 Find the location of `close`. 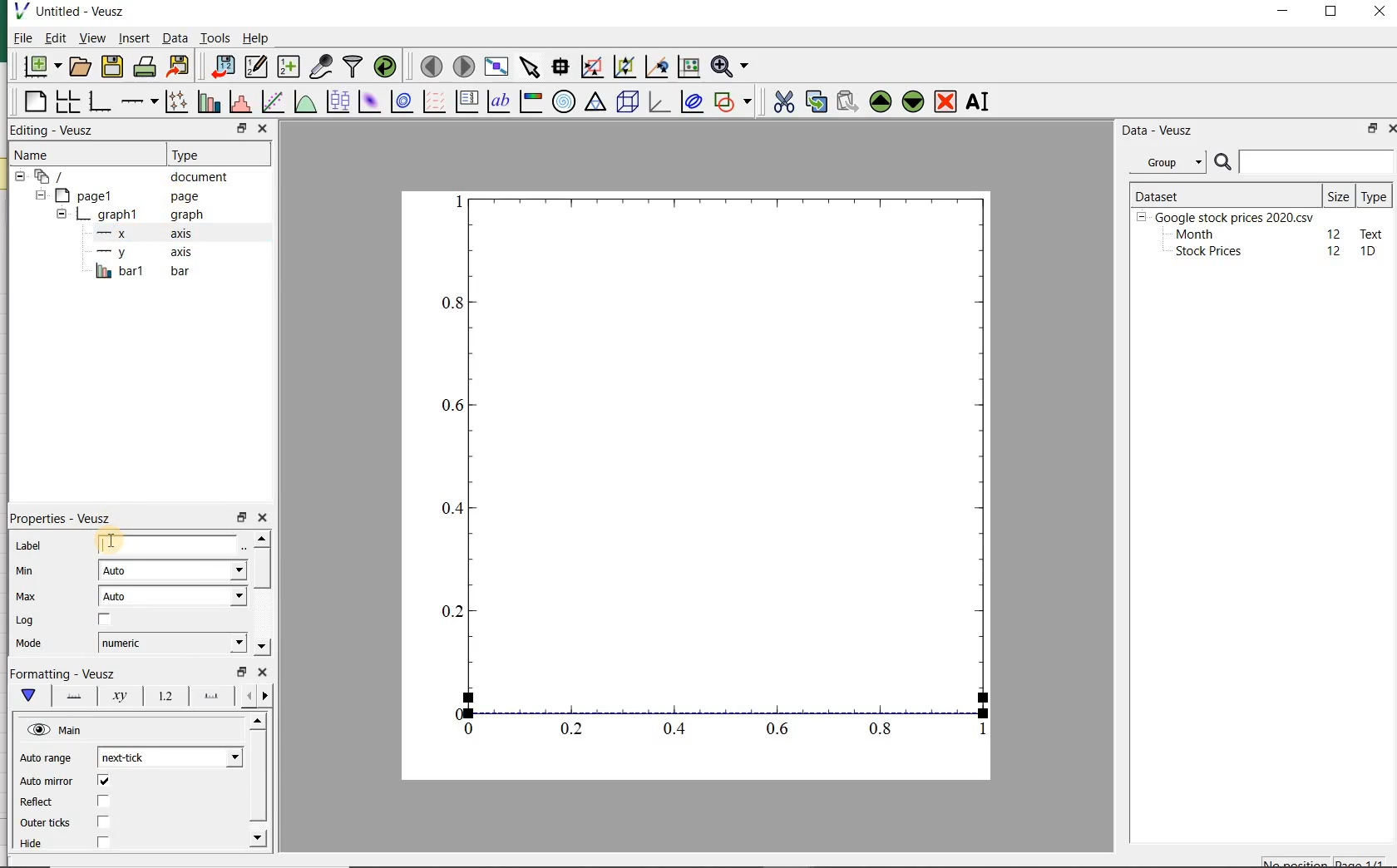

close is located at coordinates (262, 673).